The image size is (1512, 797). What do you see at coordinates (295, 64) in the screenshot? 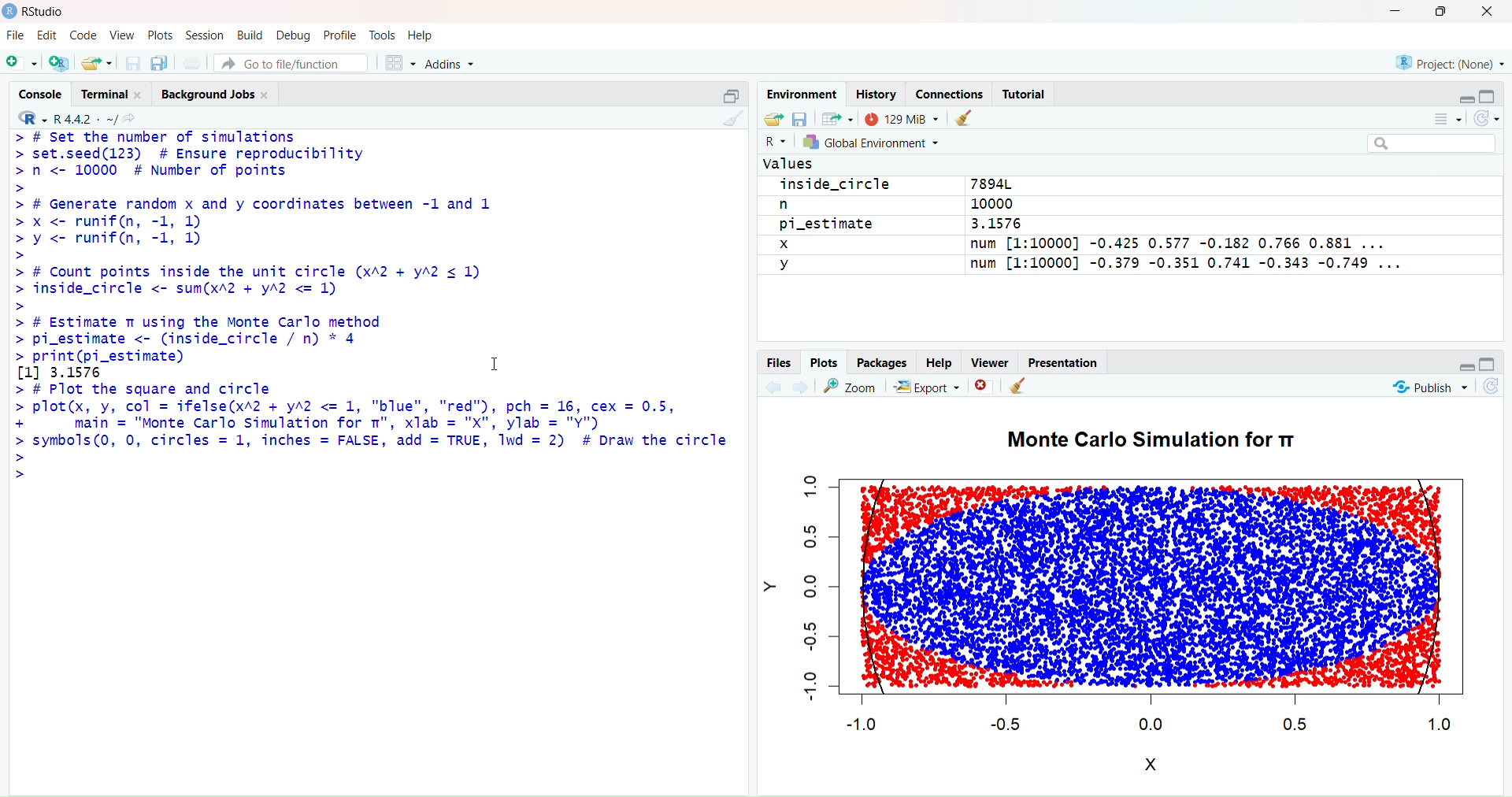
I see `Go to file/function` at bounding box center [295, 64].